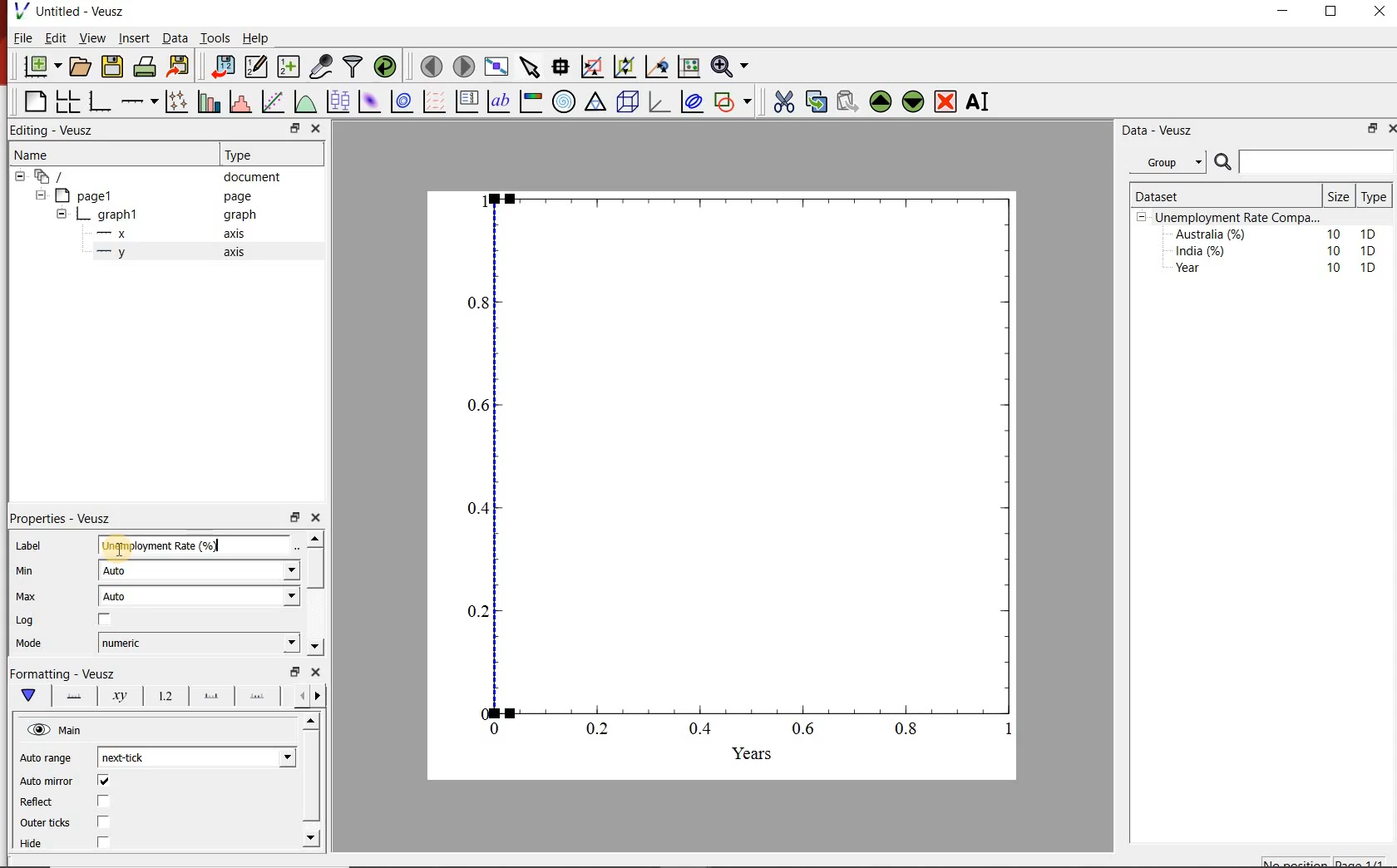 The height and width of the screenshot is (868, 1397). Describe the element at coordinates (53, 37) in the screenshot. I see `Edit` at that location.